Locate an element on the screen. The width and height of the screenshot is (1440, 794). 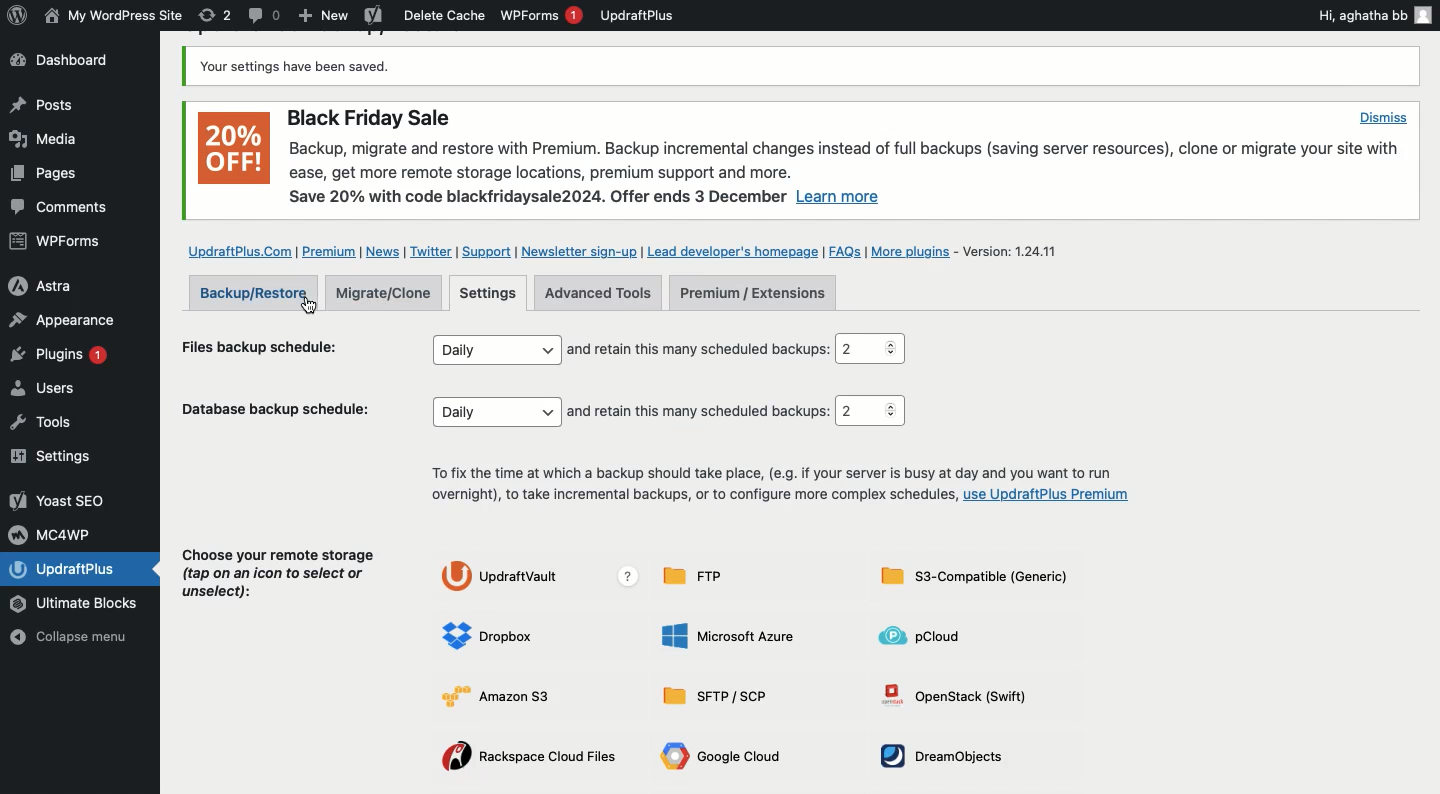
Files backup schedule is located at coordinates (269, 343).